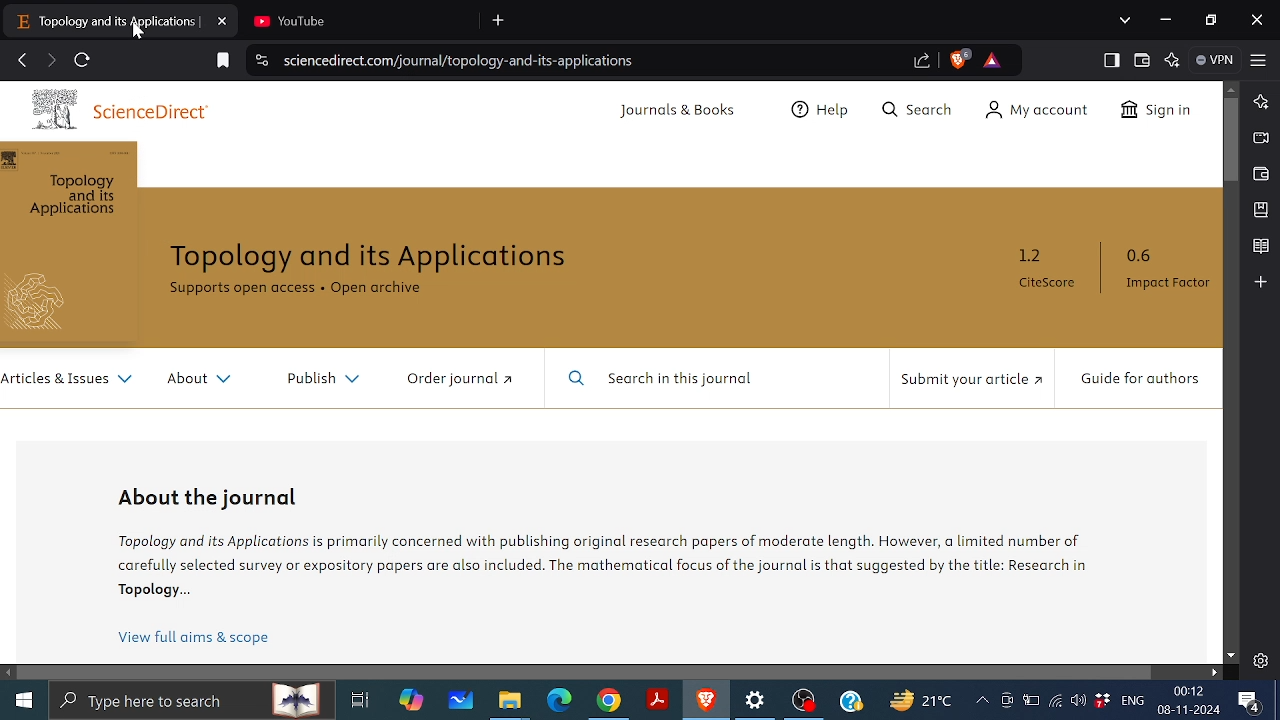 The width and height of the screenshot is (1280, 720). I want to click on reading list, so click(1261, 247).